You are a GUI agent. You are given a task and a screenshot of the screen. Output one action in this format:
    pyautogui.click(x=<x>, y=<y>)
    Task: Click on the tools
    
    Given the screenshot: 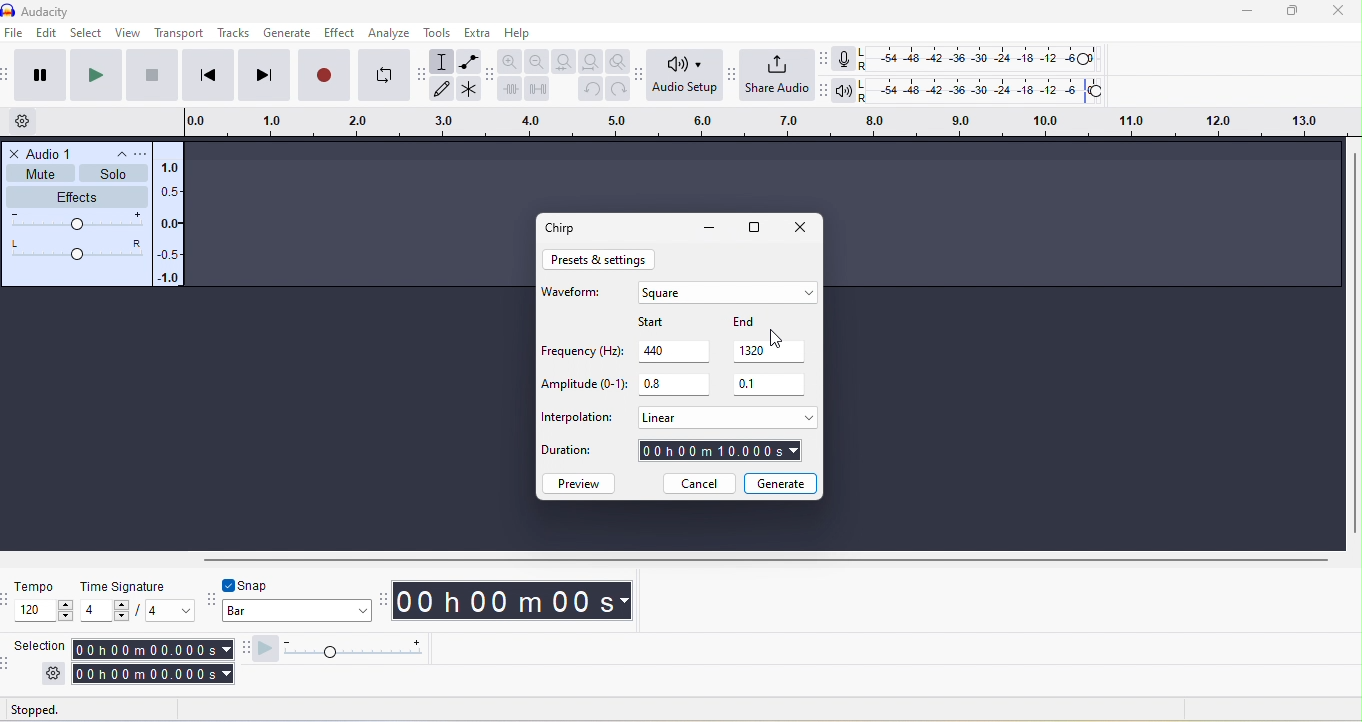 What is the action you would take?
    pyautogui.click(x=439, y=32)
    